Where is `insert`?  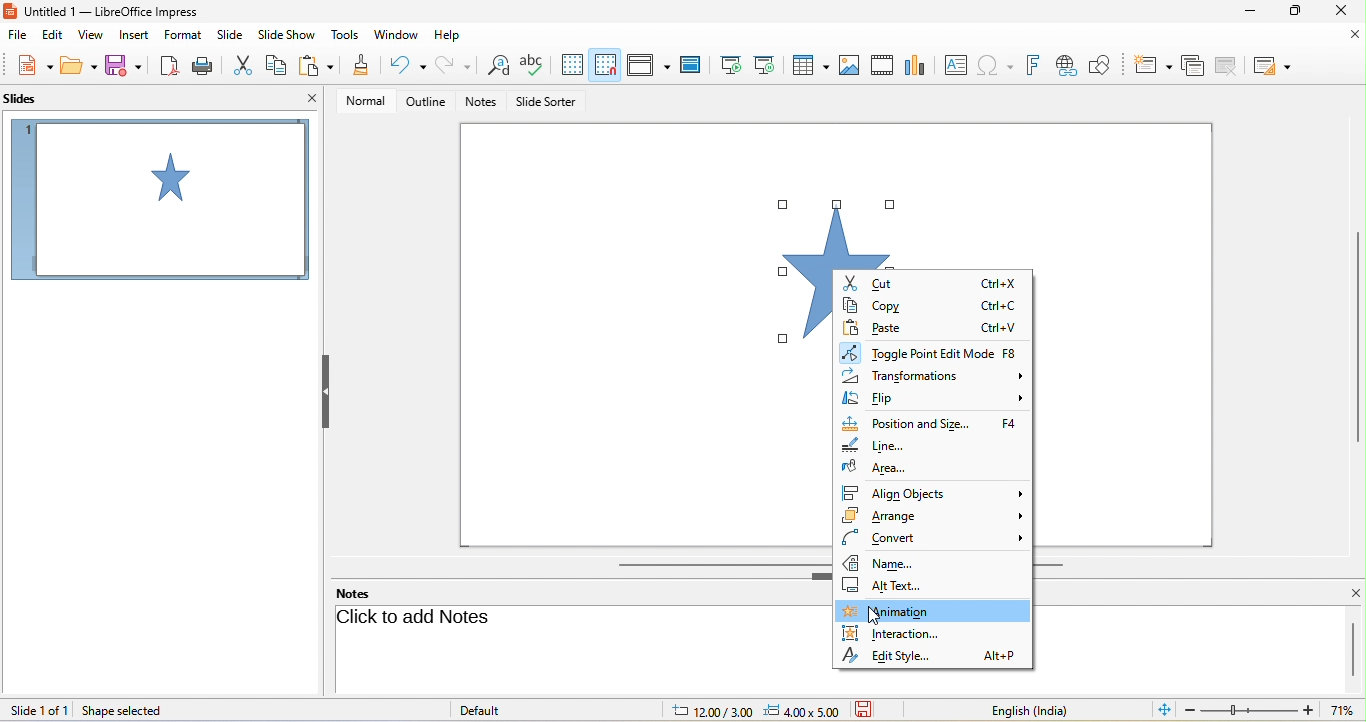
insert is located at coordinates (132, 36).